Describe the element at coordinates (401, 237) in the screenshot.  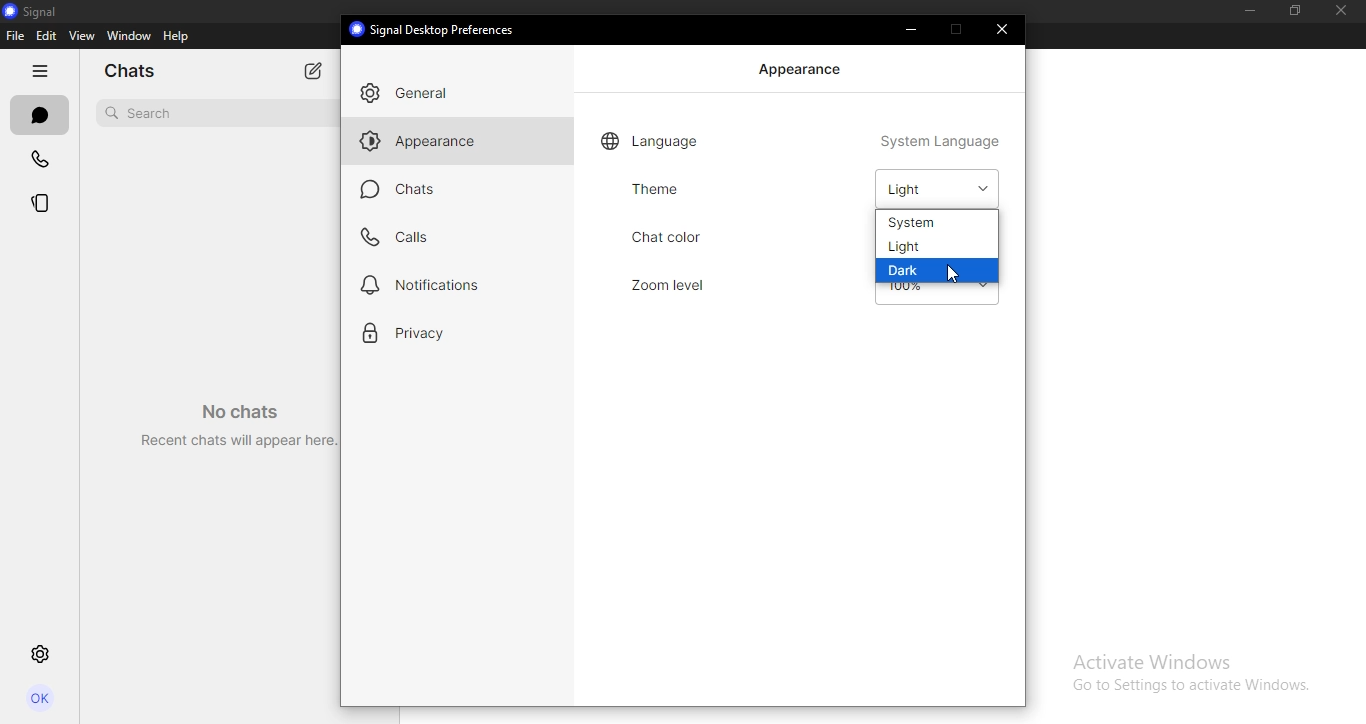
I see `calls` at that location.